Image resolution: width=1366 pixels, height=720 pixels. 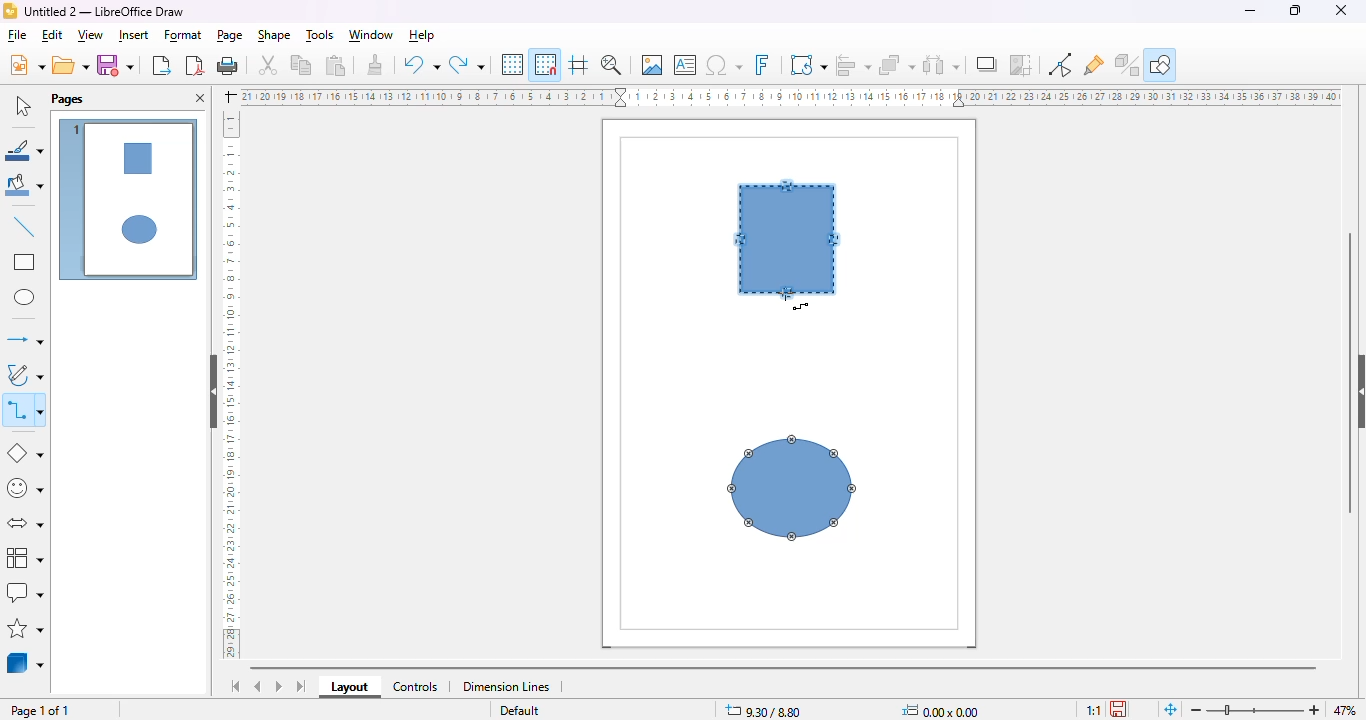 I want to click on print, so click(x=227, y=65).